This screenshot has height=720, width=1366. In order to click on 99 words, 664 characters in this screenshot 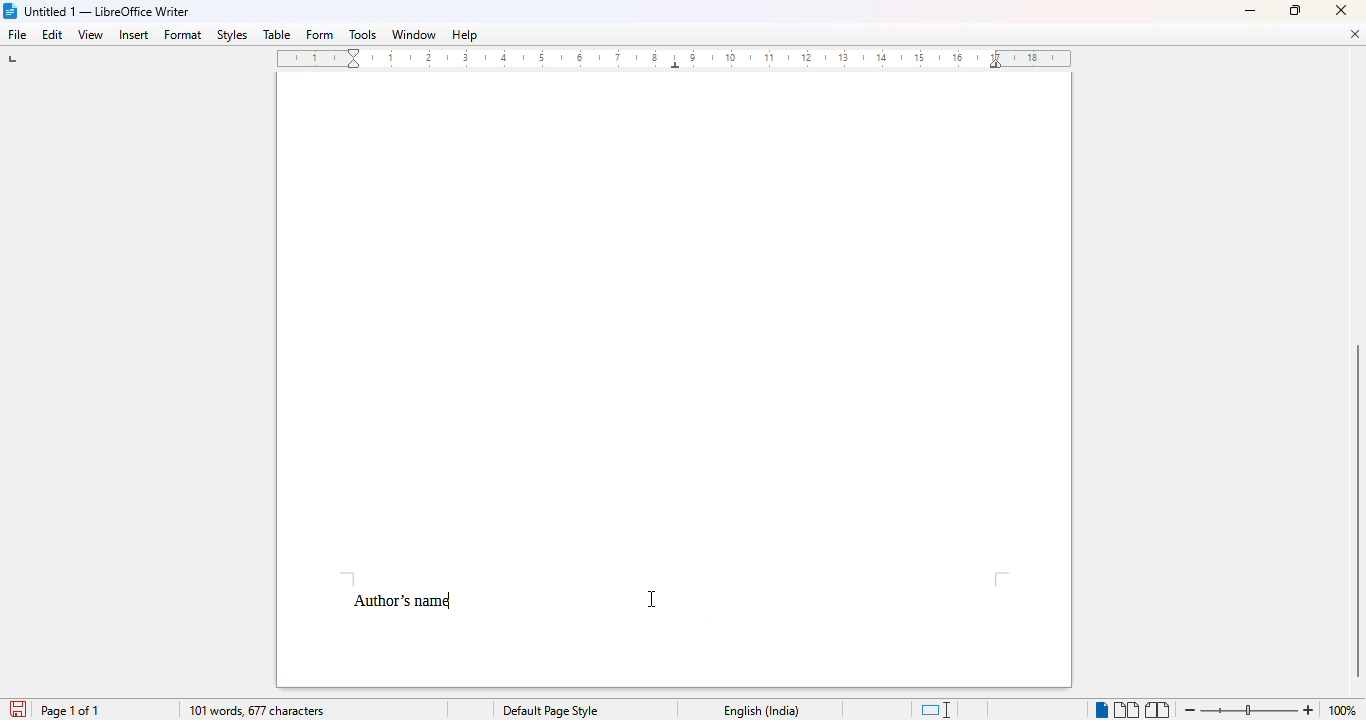, I will do `click(255, 711)`.